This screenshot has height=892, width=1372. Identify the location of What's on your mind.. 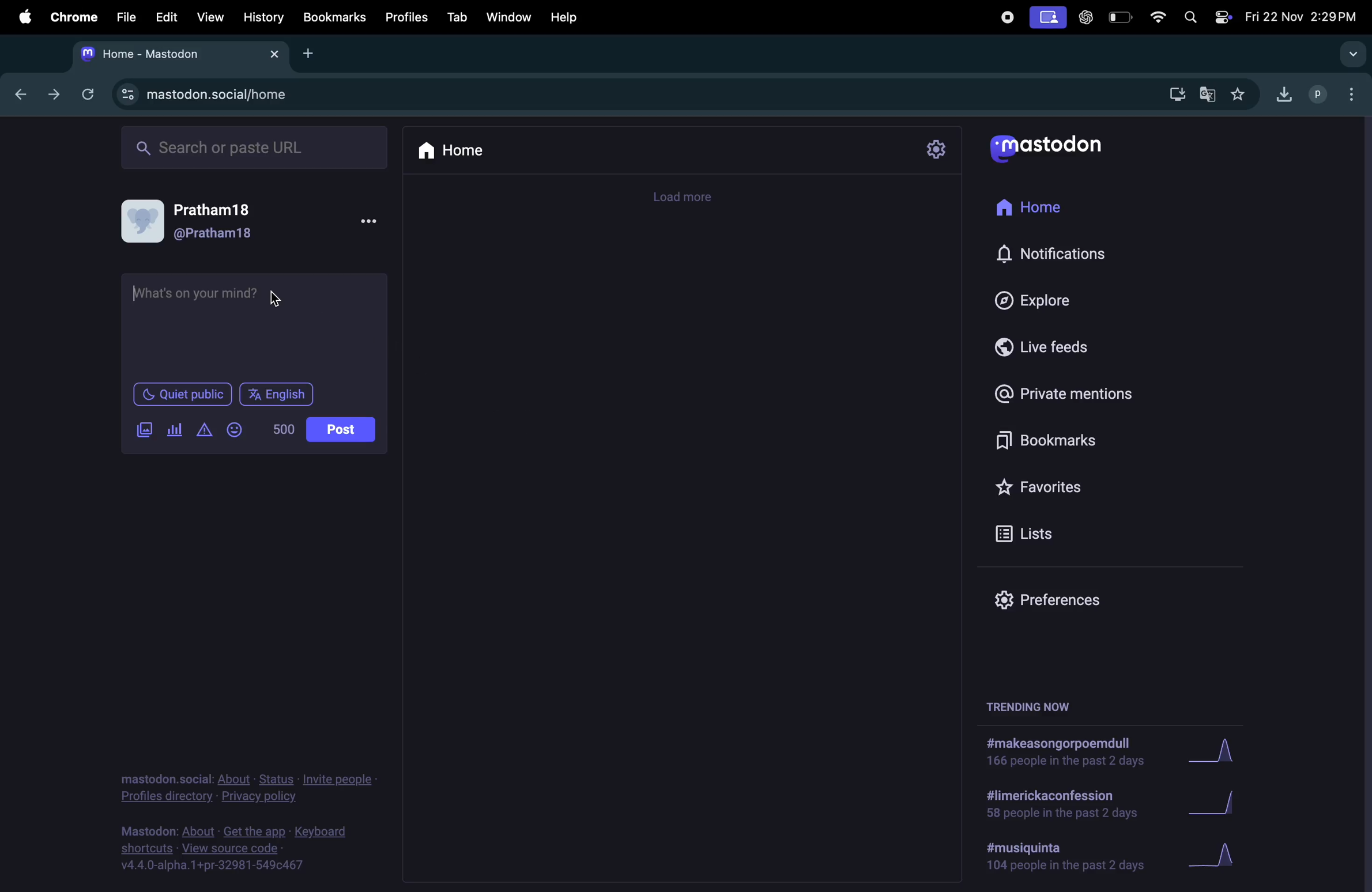
(197, 291).